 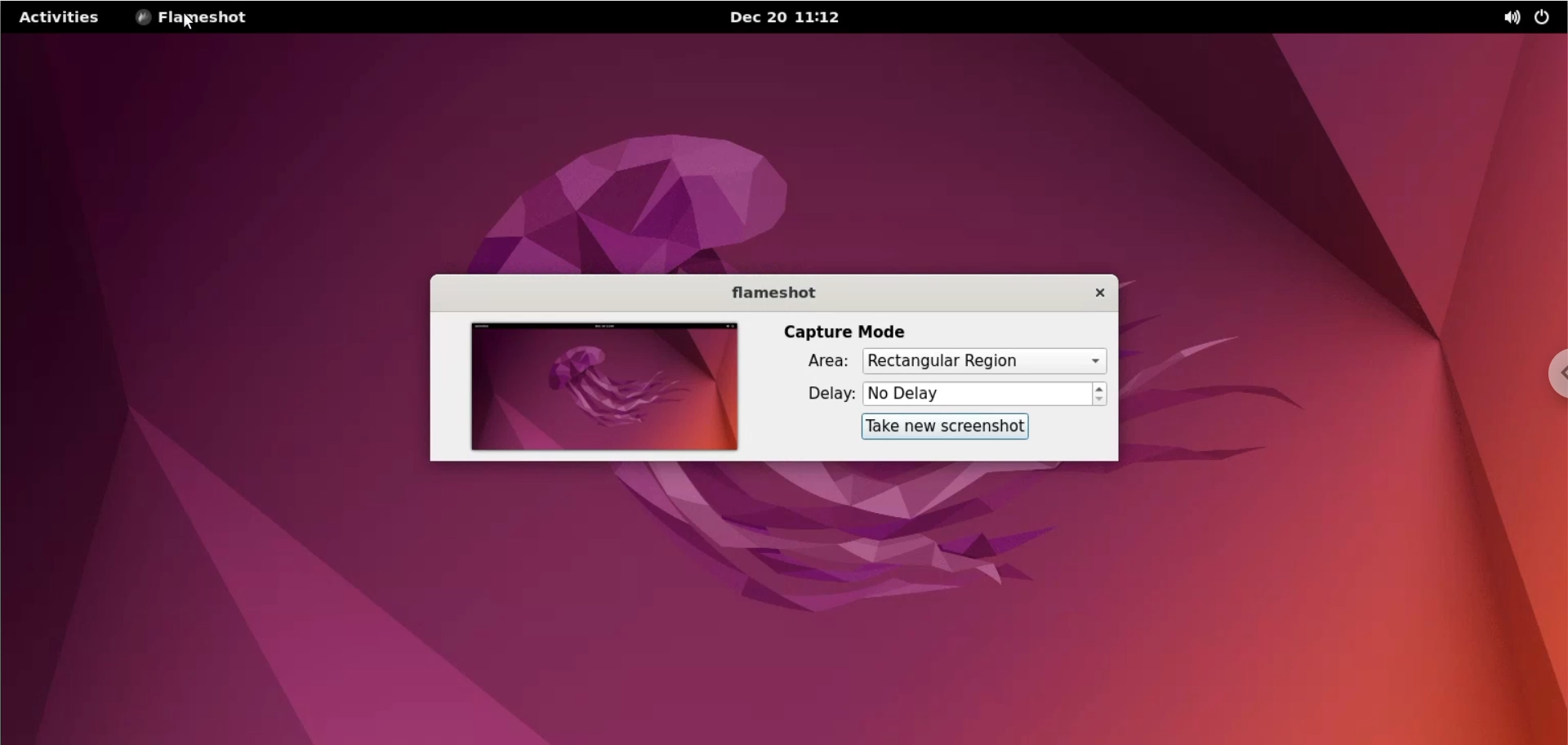 What do you see at coordinates (1553, 372) in the screenshot?
I see `chrome options` at bounding box center [1553, 372].